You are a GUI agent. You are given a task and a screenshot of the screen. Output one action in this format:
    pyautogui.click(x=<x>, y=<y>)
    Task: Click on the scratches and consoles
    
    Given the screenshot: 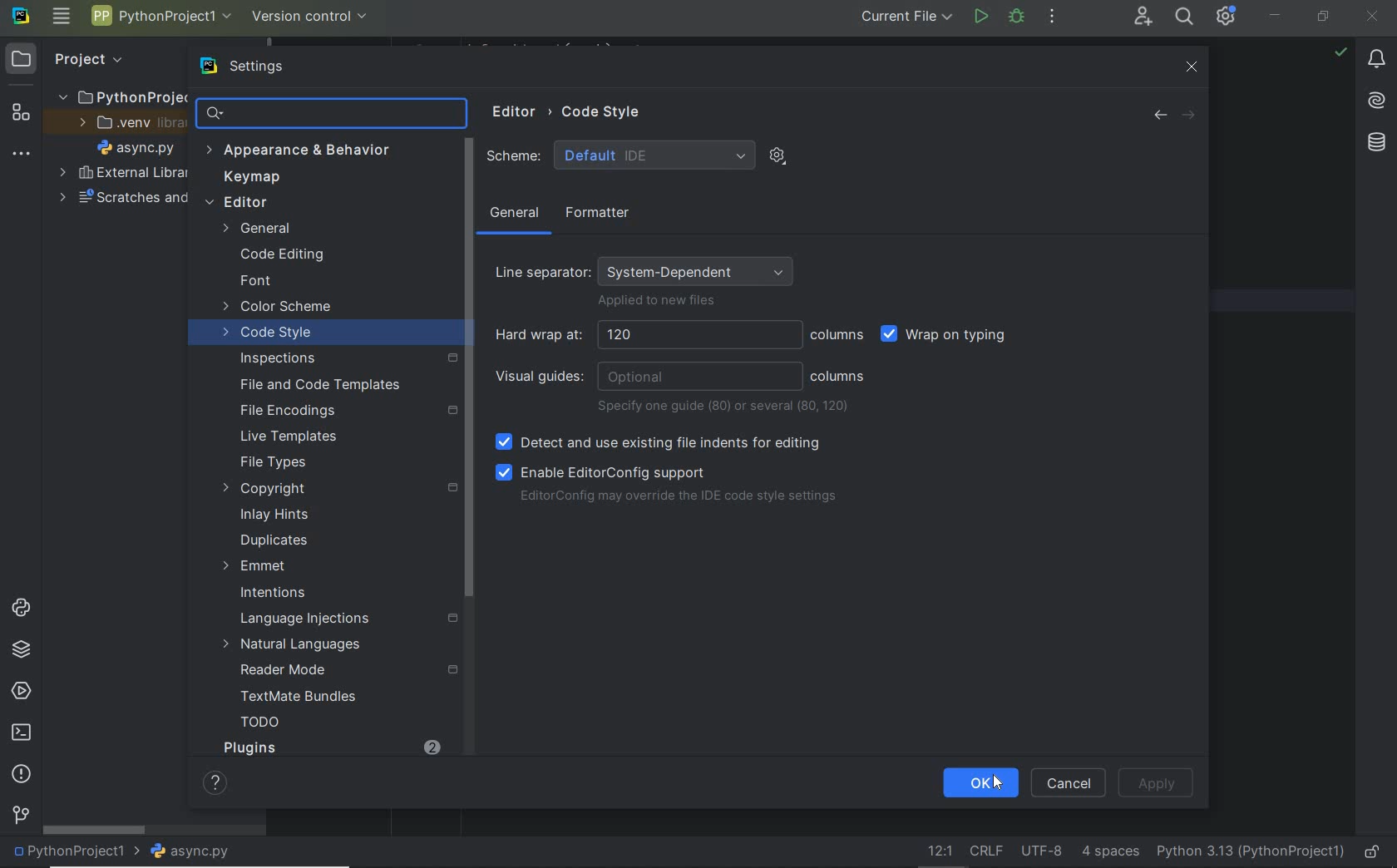 What is the action you would take?
    pyautogui.click(x=115, y=200)
    